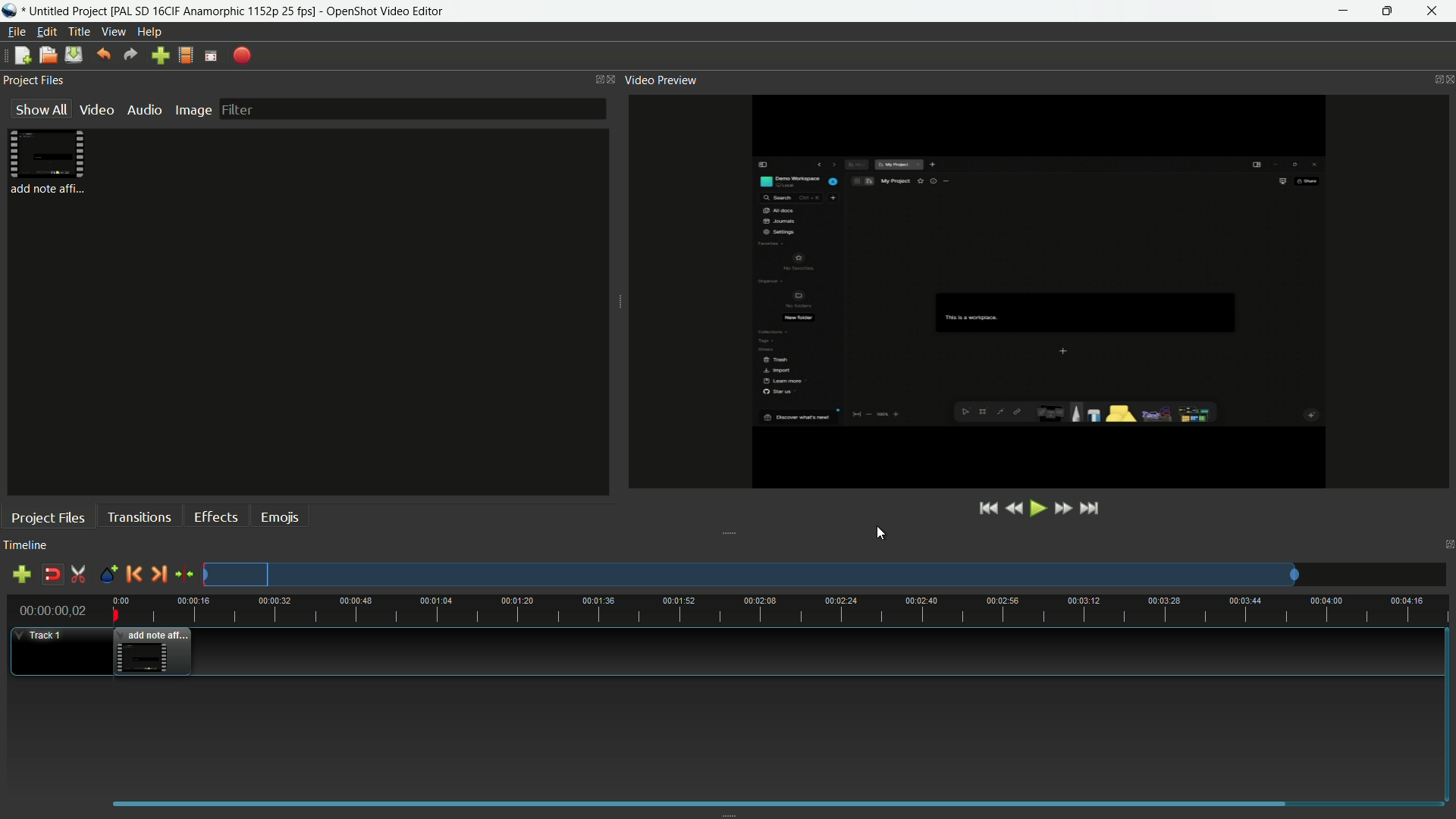  What do you see at coordinates (1062, 510) in the screenshot?
I see `fast sorward` at bounding box center [1062, 510].